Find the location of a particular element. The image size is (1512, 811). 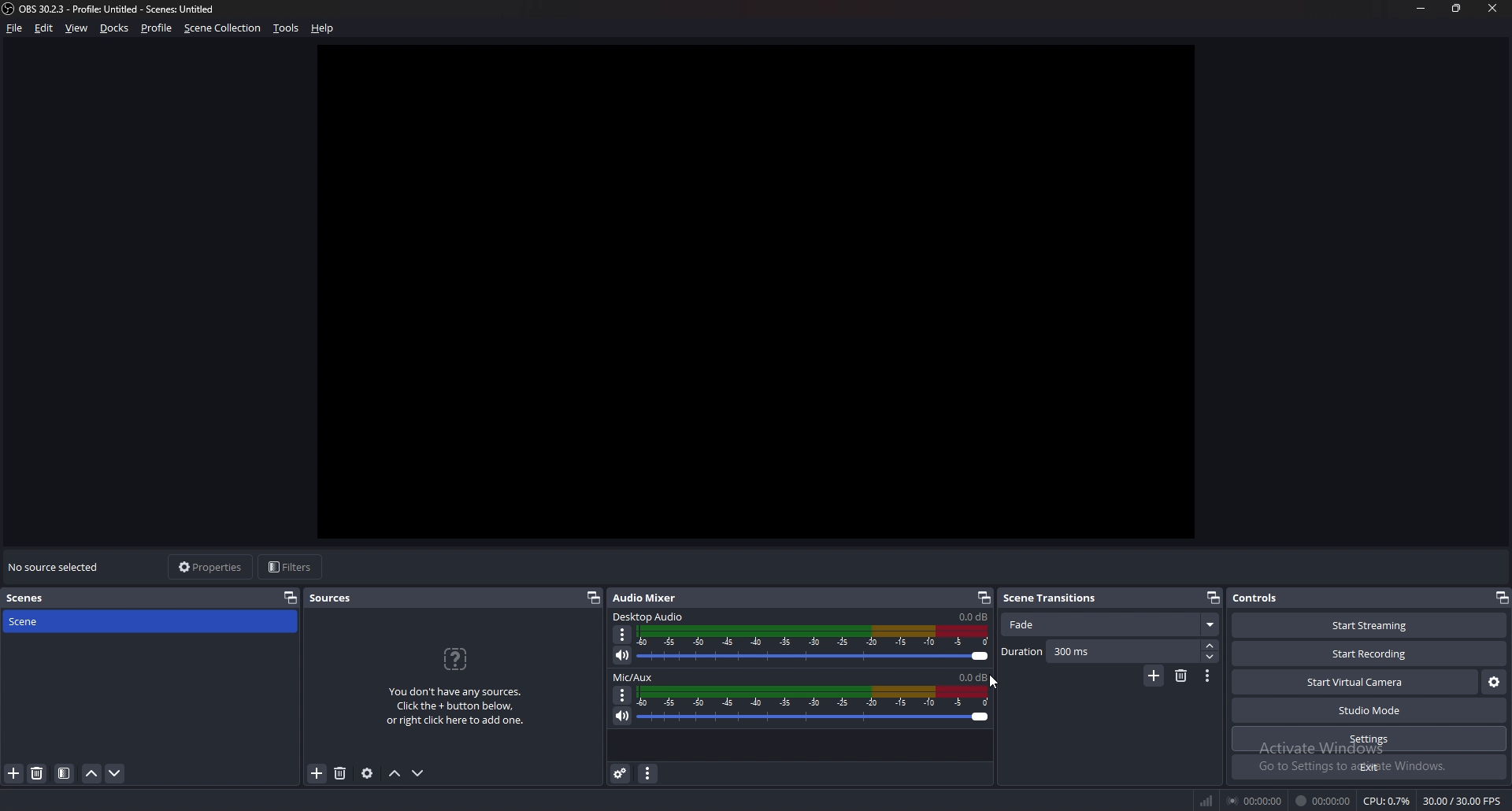

icon is located at coordinates (456, 657).